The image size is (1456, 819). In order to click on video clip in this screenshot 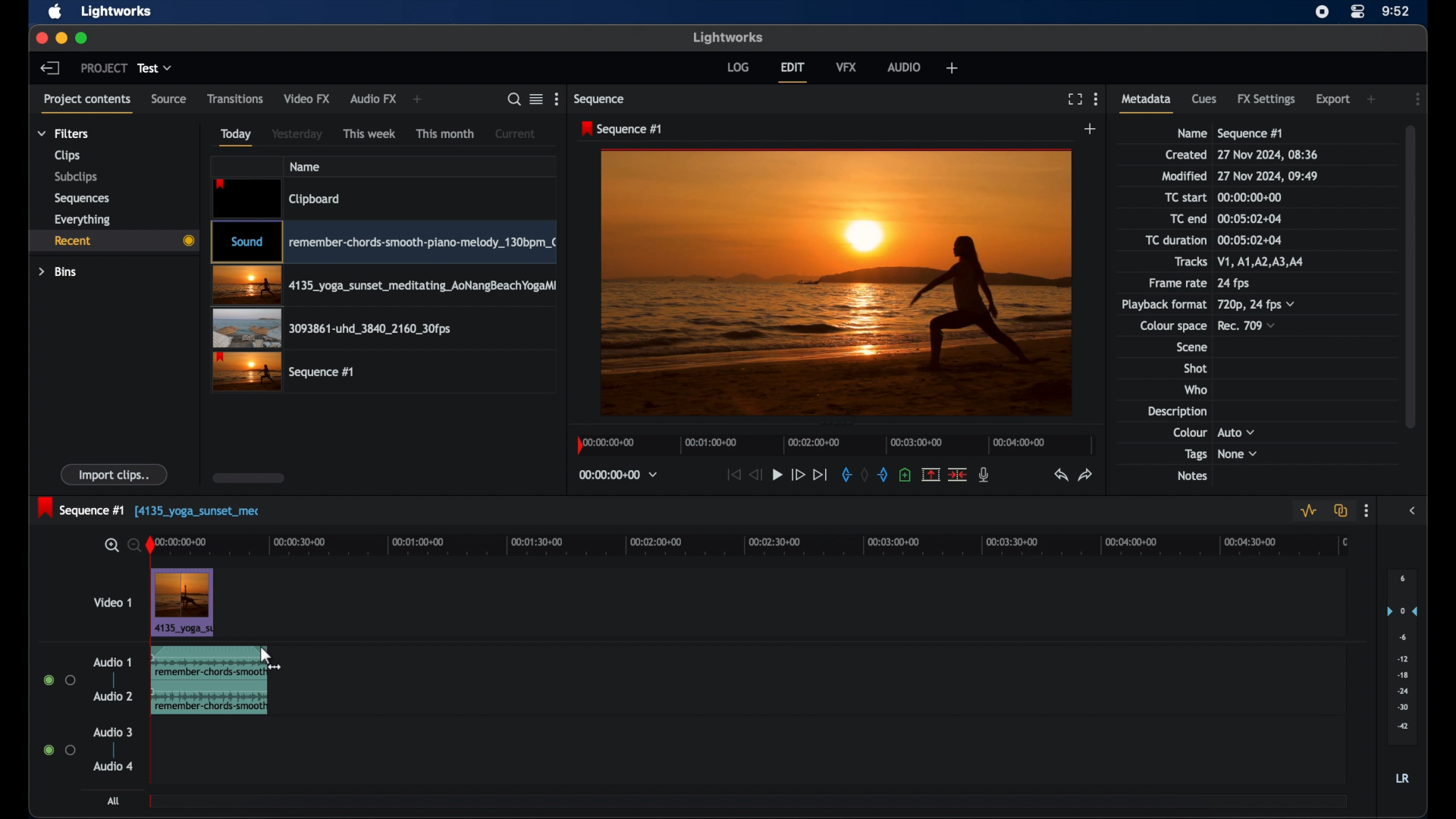, I will do `click(384, 286)`.